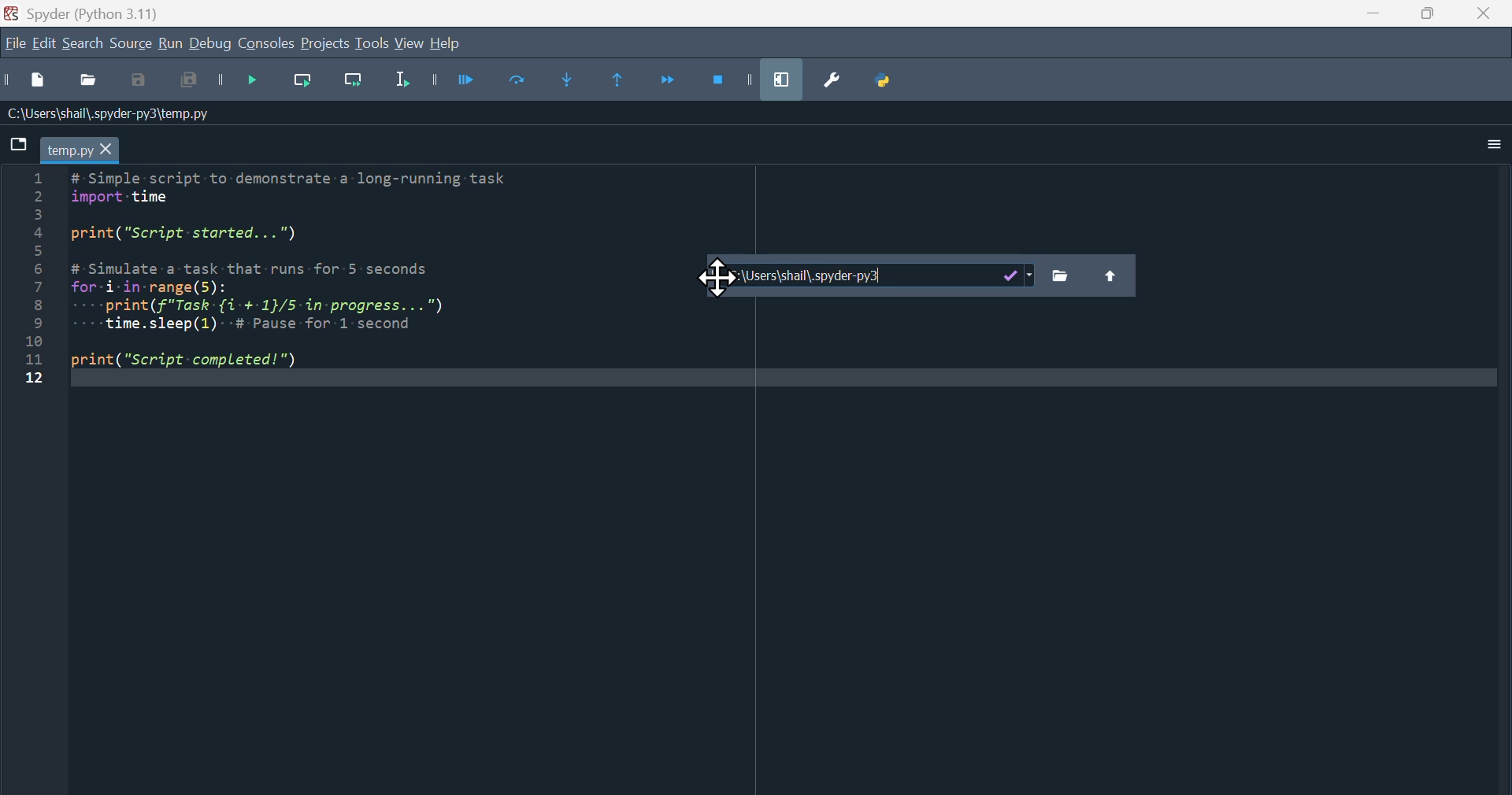 The height and width of the screenshot is (795, 1512). I want to click on Edit, so click(46, 44).